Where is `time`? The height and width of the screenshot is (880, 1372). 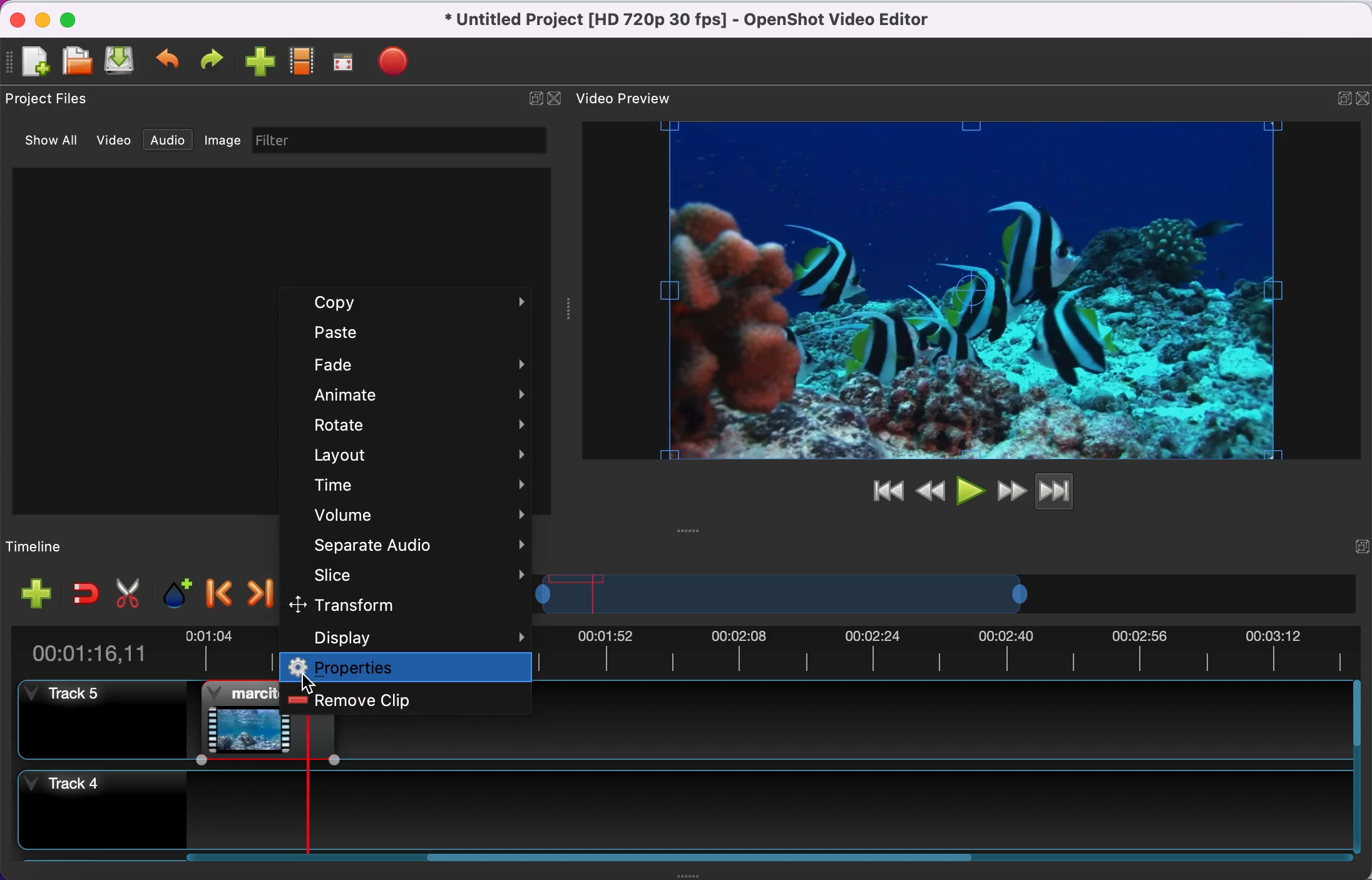
time is located at coordinates (419, 486).